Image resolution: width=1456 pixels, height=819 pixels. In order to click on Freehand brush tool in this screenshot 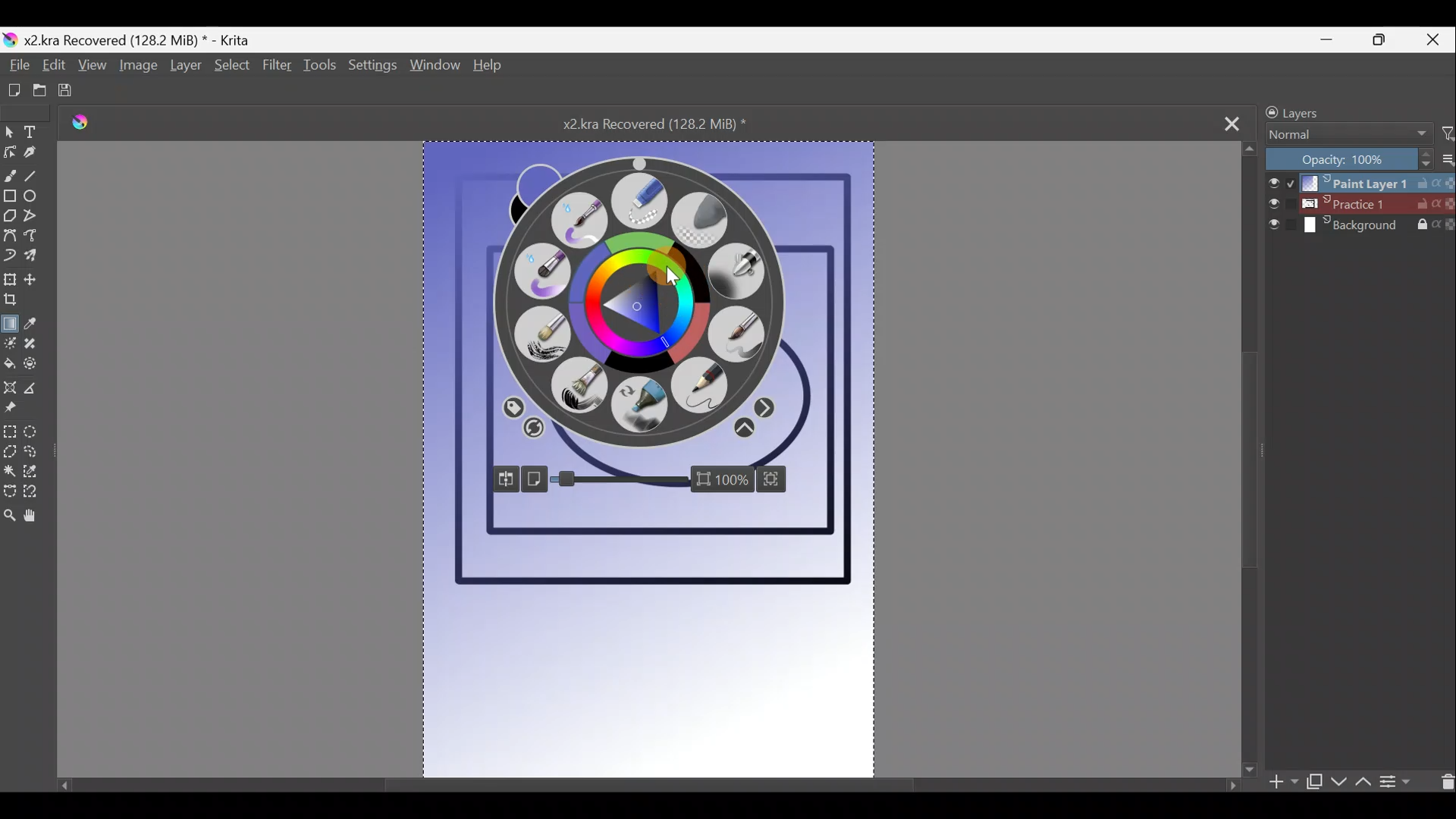, I will do `click(10, 175)`.